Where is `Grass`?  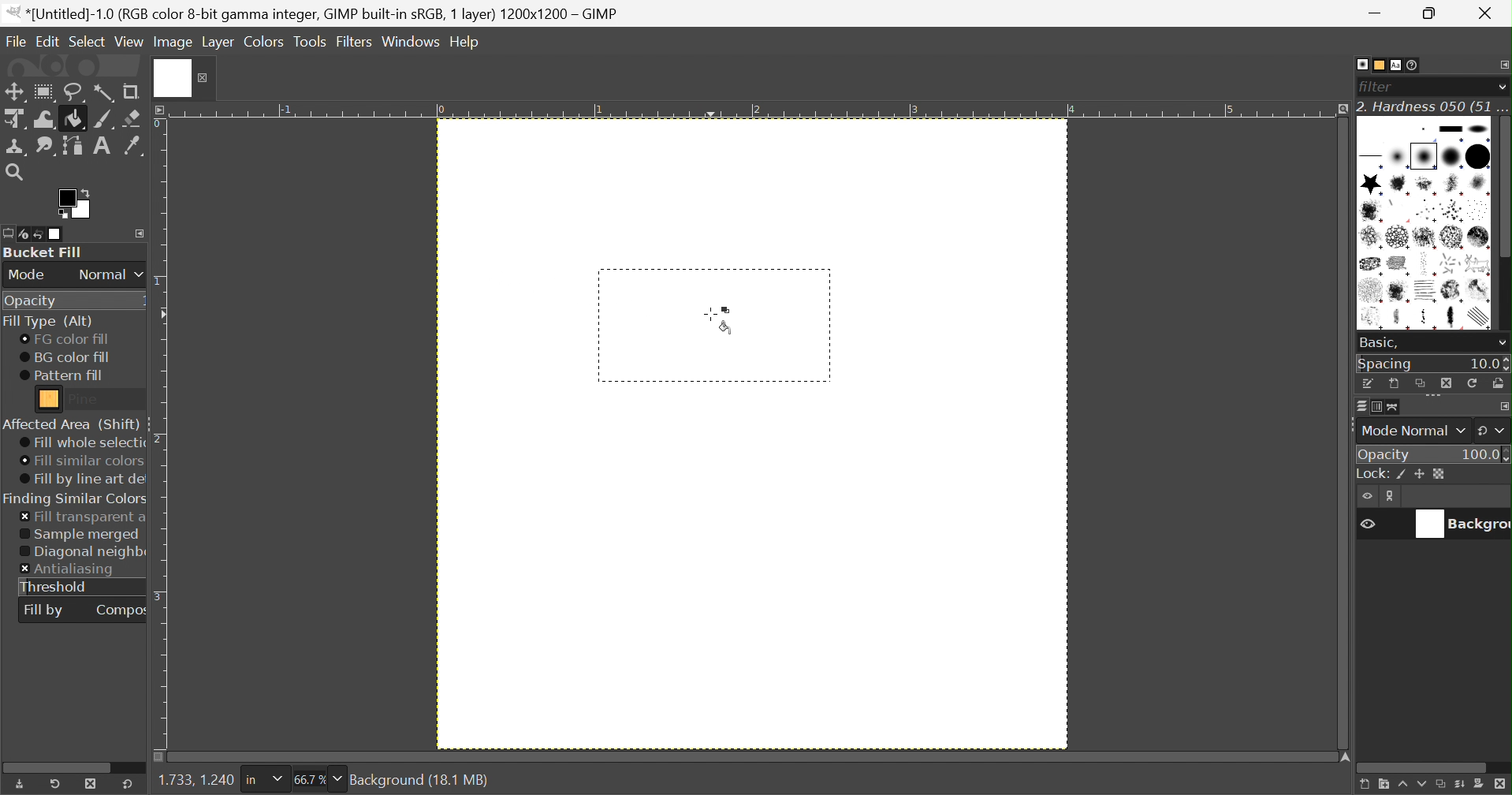 Grass is located at coordinates (1370, 291).